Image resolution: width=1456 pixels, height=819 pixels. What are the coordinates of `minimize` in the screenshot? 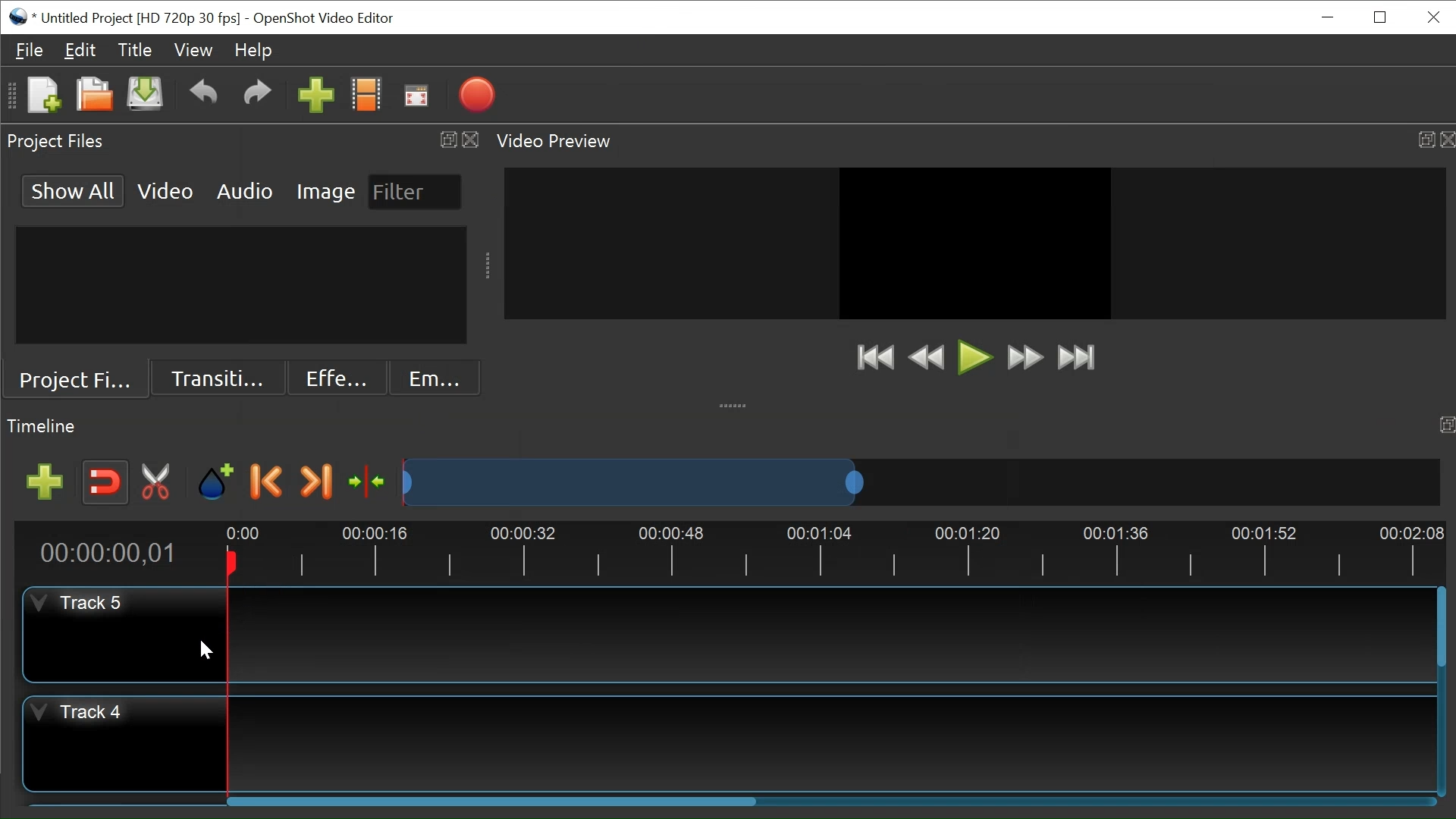 It's located at (1326, 17).